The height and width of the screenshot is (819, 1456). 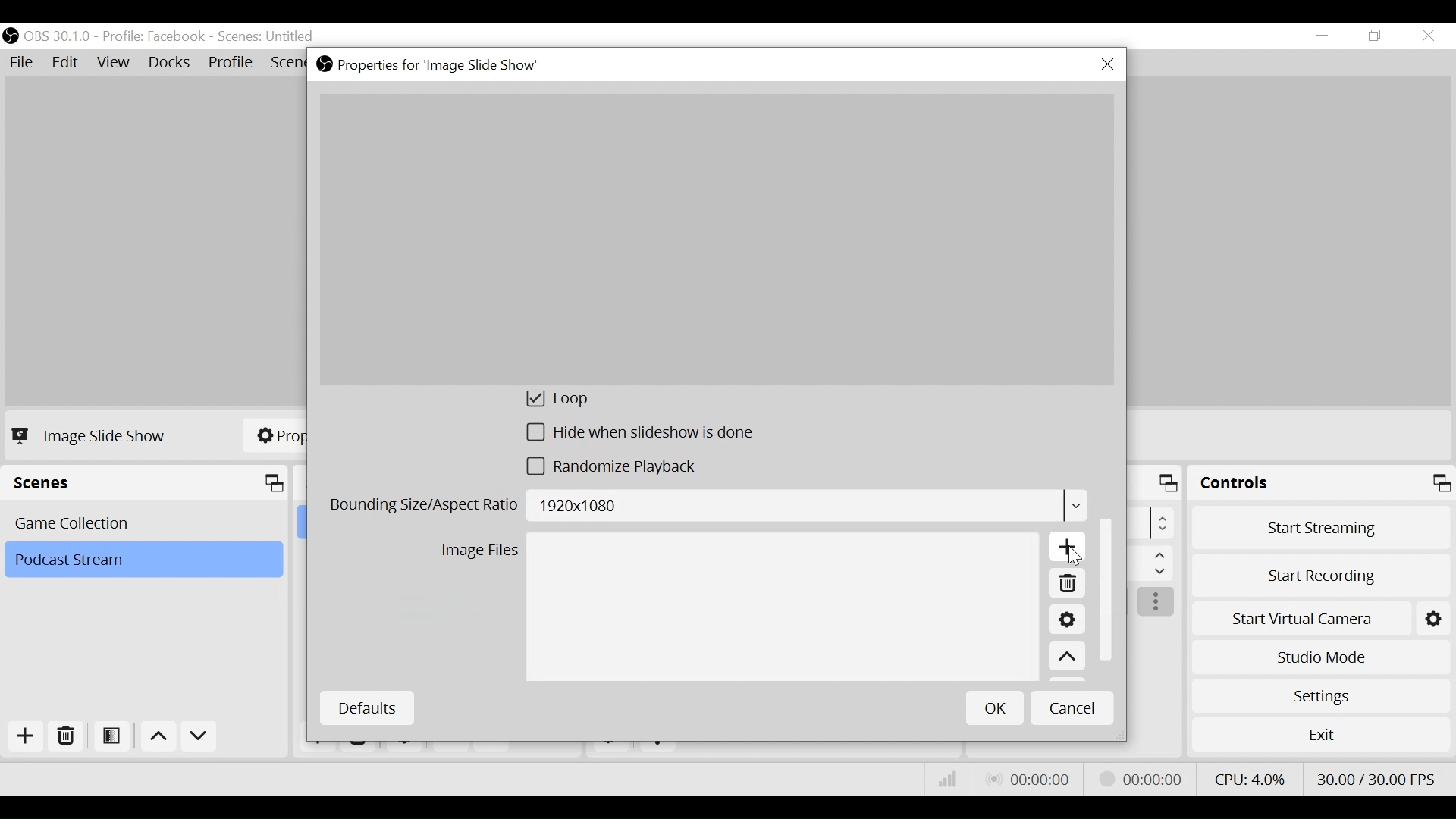 What do you see at coordinates (143, 560) in the screenshot?
I see `Scene ` at bounding box center [143, 560].